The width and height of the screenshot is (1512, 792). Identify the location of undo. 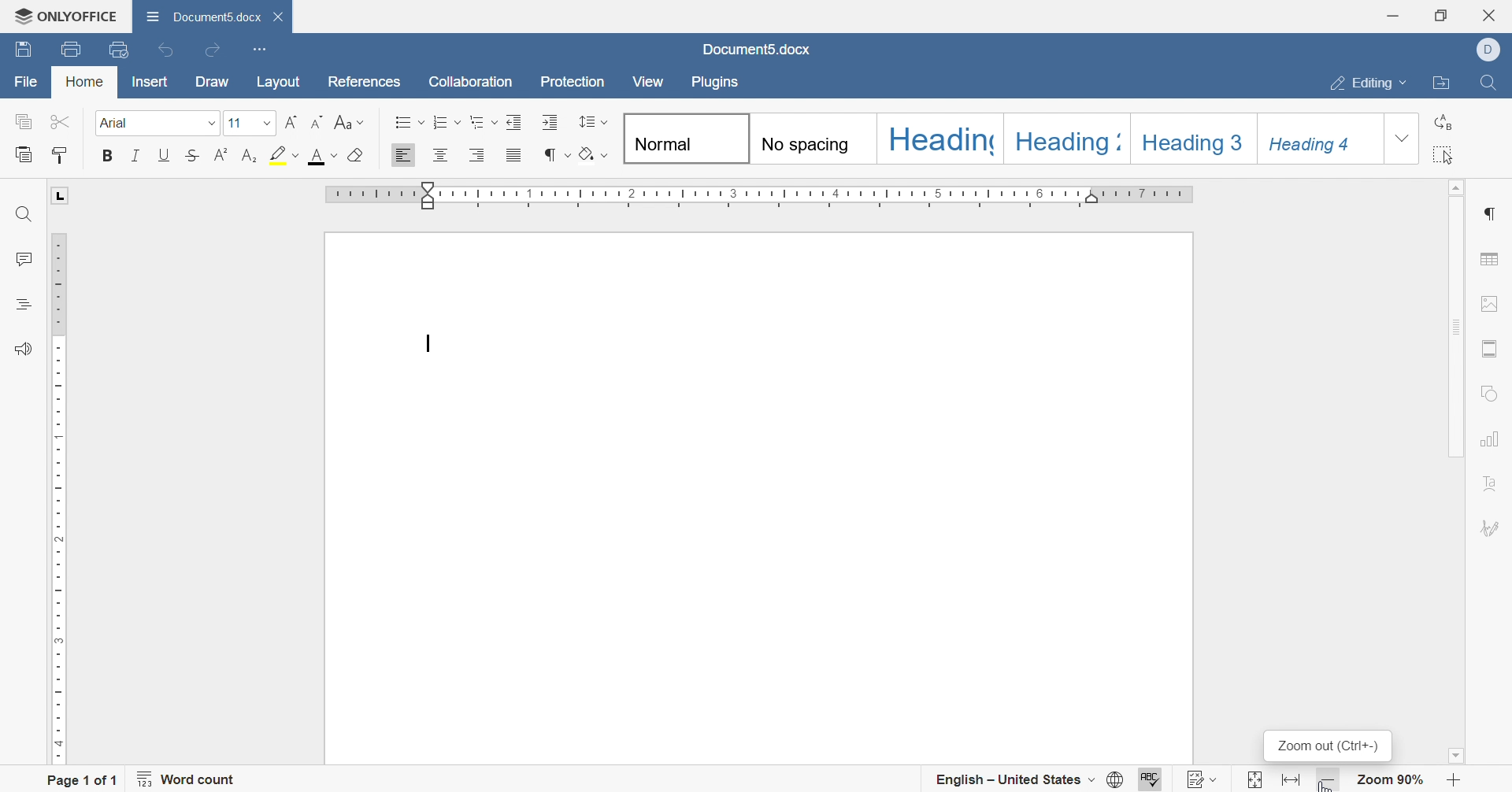
(165, 50).